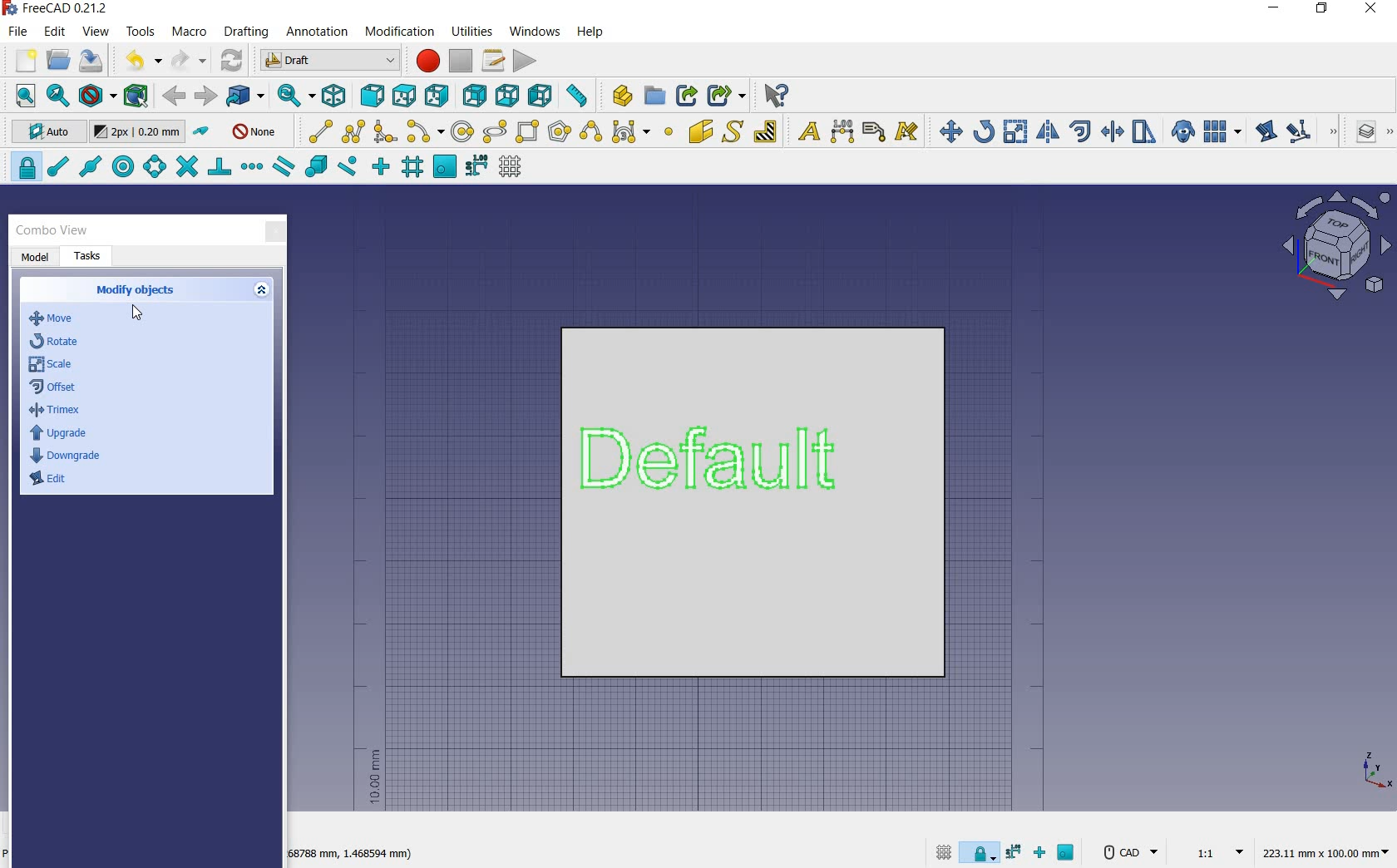  I want to click on polygon, so click(560, 131).